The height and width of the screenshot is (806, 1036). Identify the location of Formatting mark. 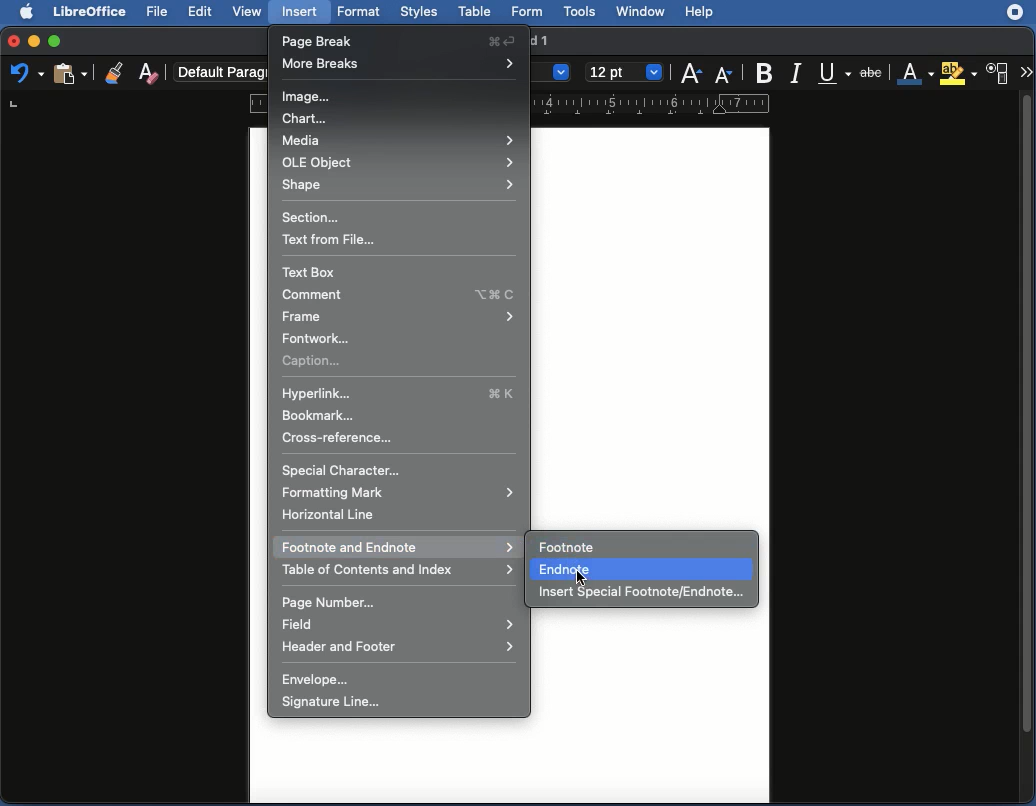
(404, 492).